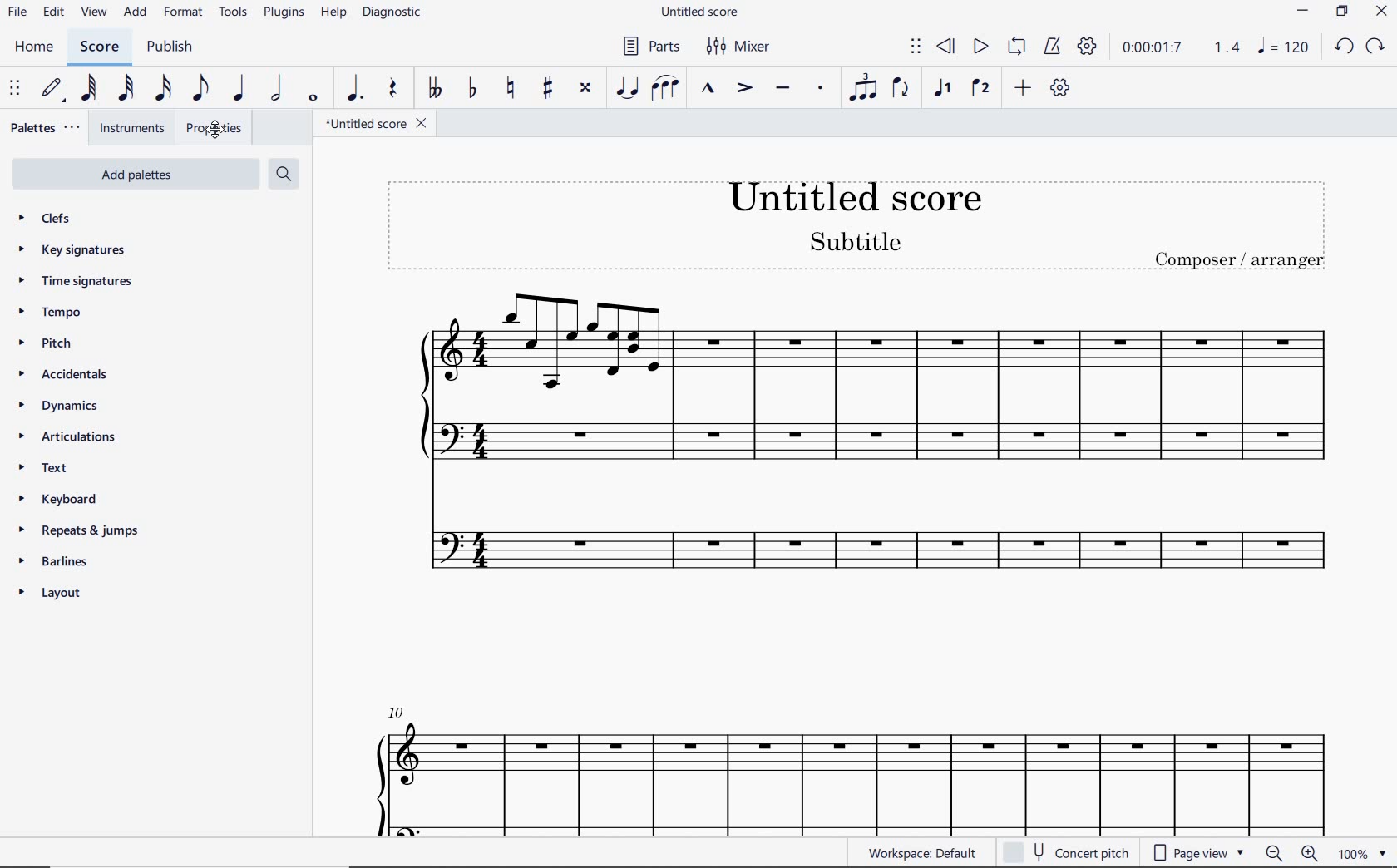 This screenshot has height=868, width=1397. What do you see at coordinates (68, 440) in the screenshot?
I see `articulations` at bounding box center [68, 440].